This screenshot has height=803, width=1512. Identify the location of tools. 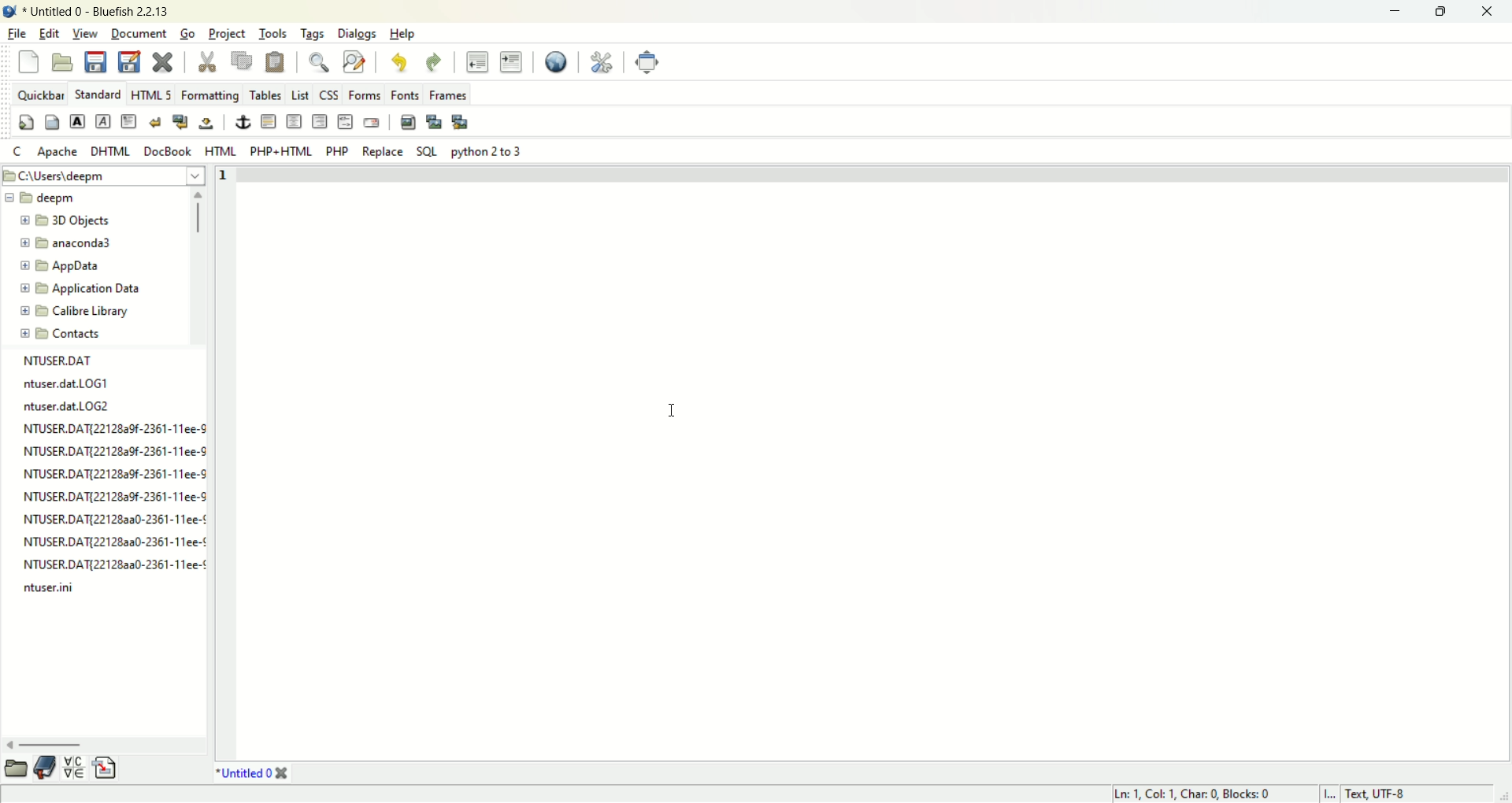
(270, 34).